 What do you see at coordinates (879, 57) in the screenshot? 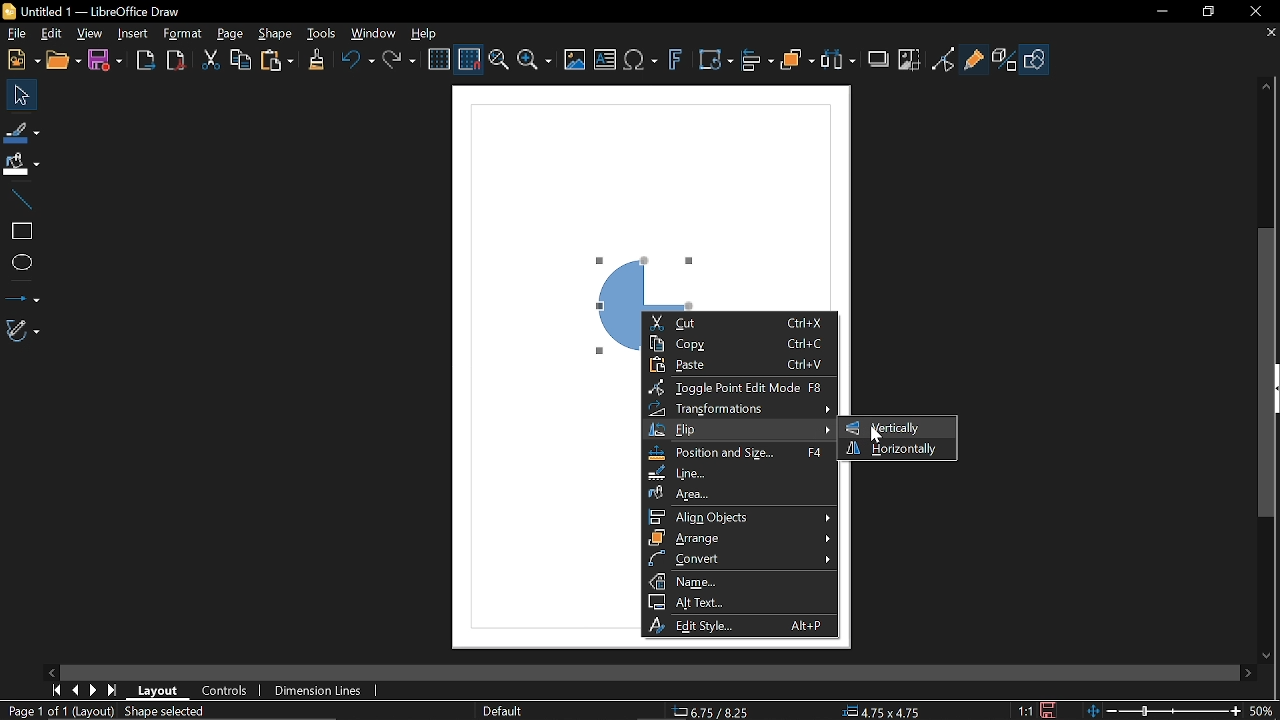
I see `Shadow` at bounding box center [879, 57].